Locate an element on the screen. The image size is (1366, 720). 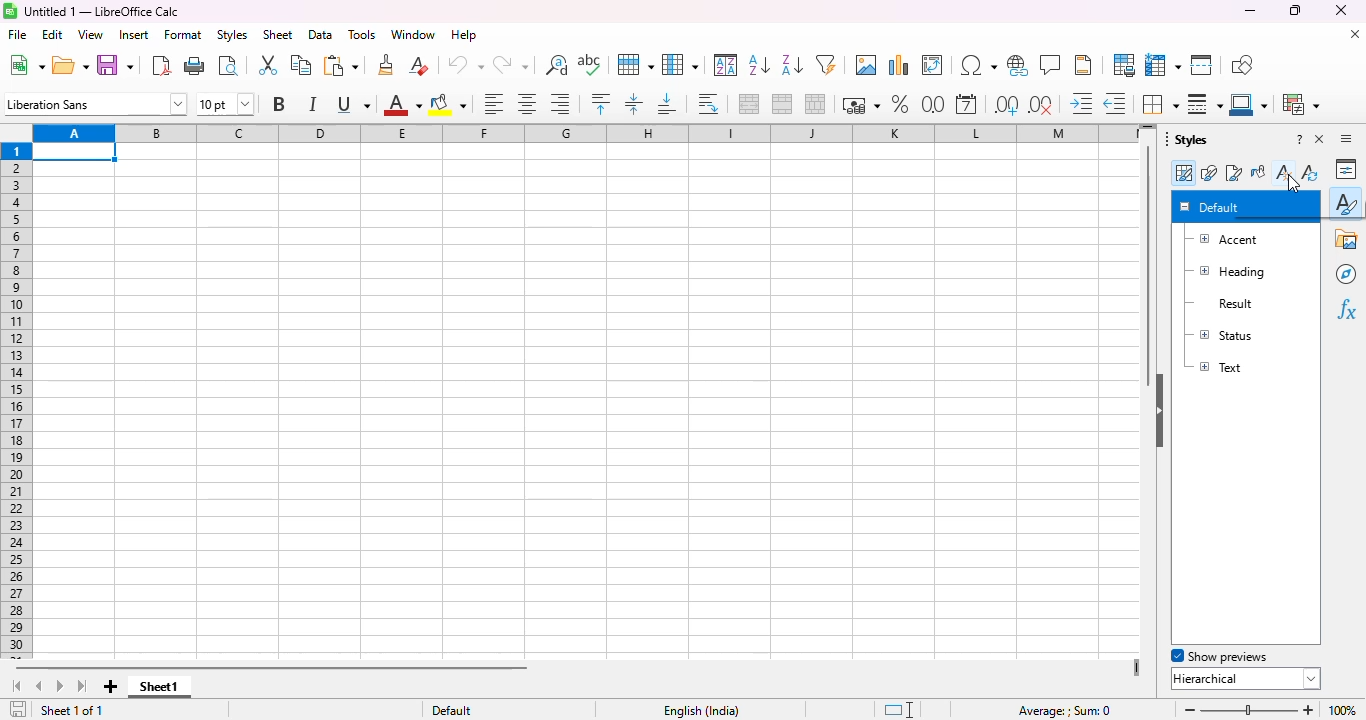
view is located at coordinates (90, 35).